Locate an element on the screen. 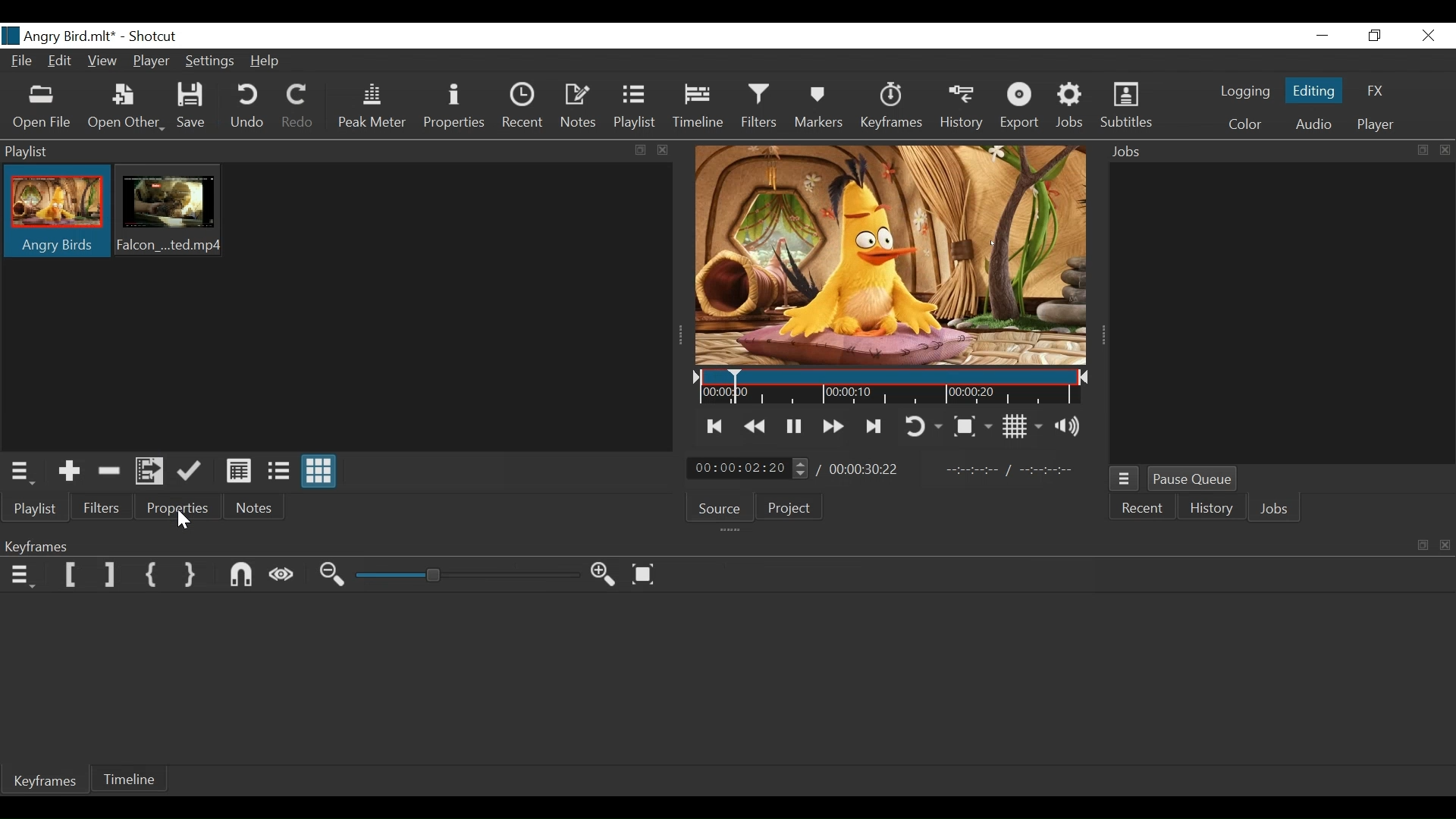  Open File is located at coordinates (40, 108).